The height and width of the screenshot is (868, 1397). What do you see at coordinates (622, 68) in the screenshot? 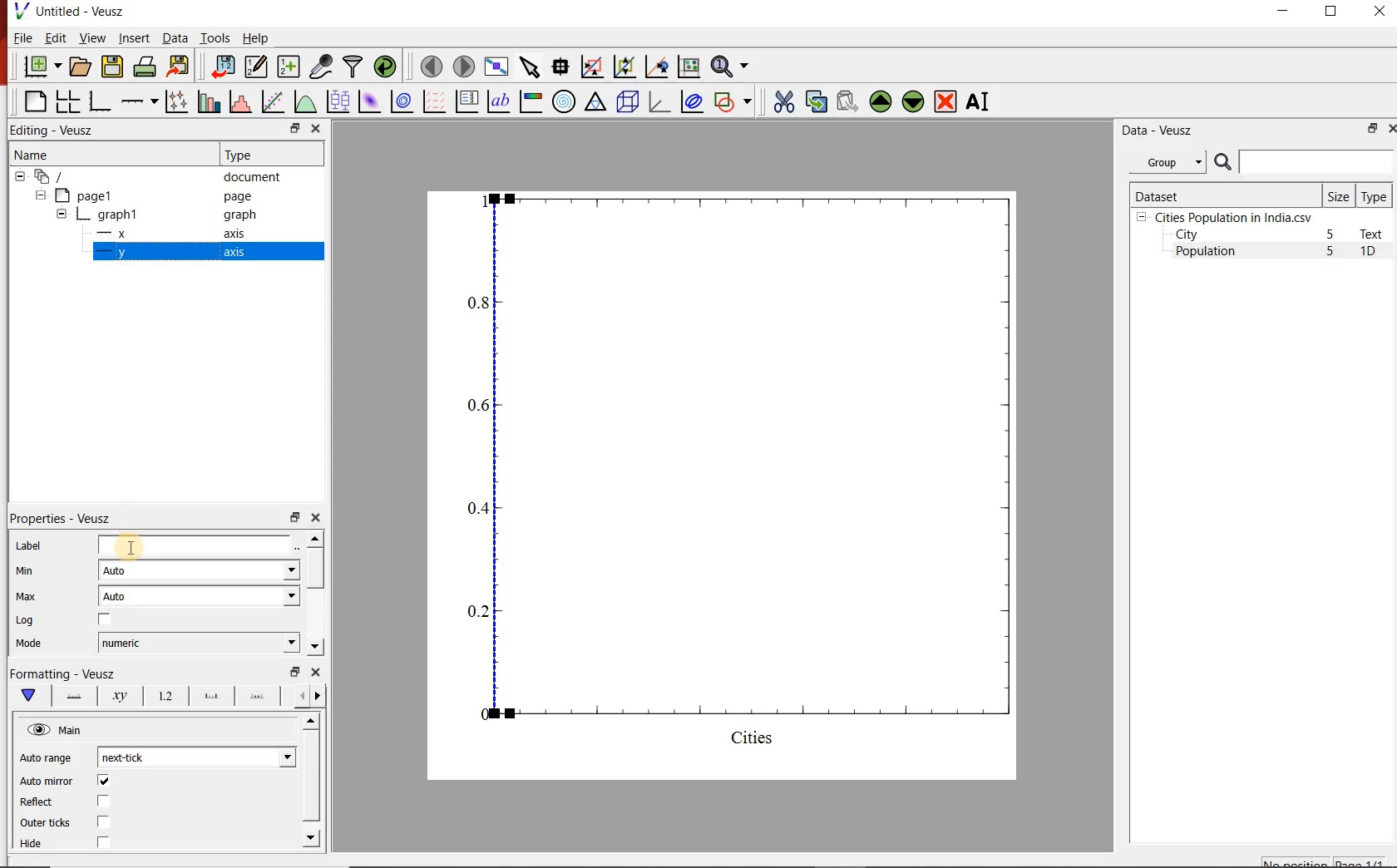
I see `click to zoom out of graph axes` at bounding box center [622, 68].